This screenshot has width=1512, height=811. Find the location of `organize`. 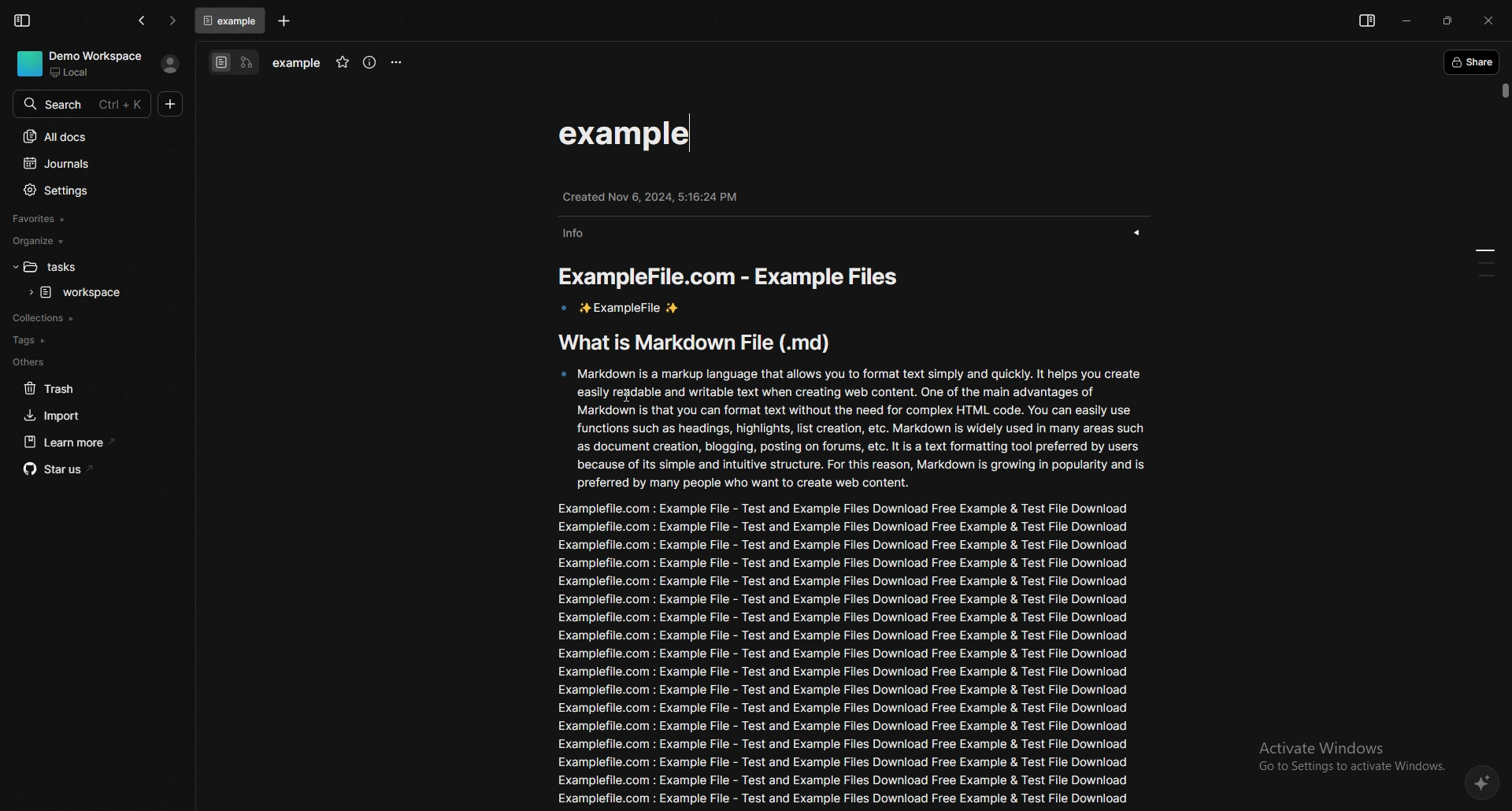

organize is located at coordinates (84, 241).